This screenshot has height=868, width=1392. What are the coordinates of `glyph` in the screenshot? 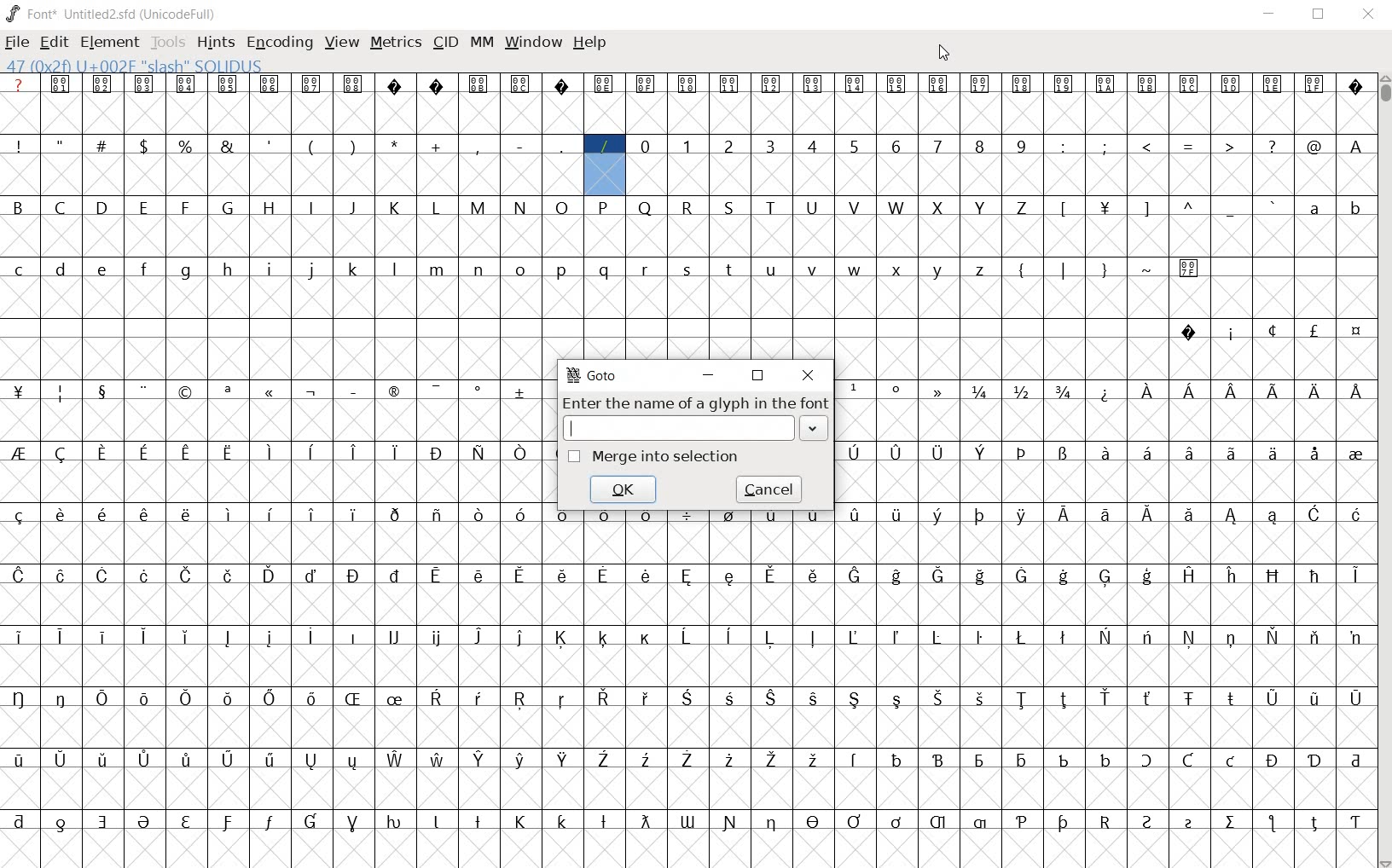 It's located at (227, 823).